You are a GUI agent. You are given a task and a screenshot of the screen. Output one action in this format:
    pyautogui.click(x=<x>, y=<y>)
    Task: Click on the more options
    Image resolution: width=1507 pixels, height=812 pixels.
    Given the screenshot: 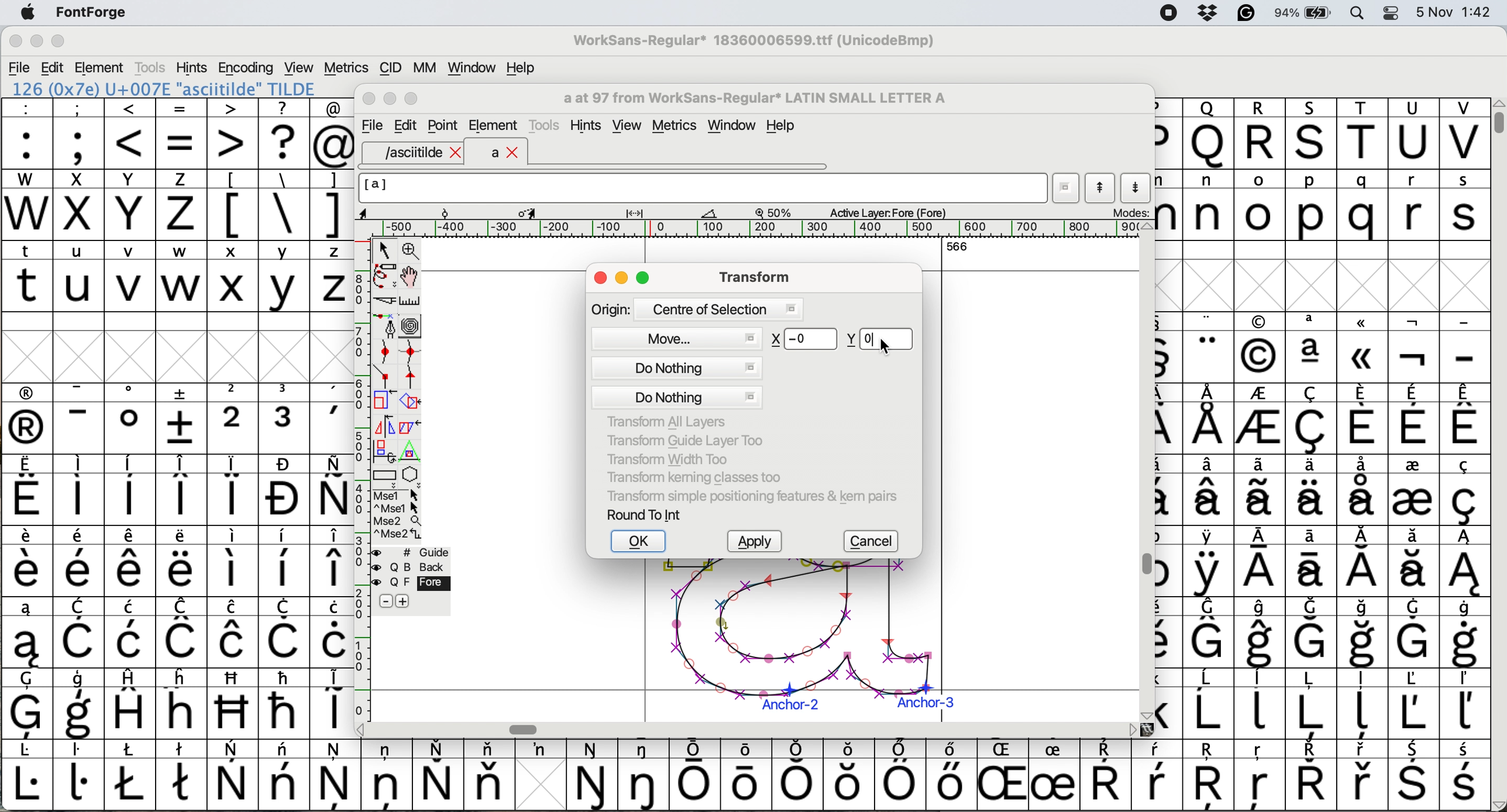 What is the action you would take?
    pyautogui.click(x=398, y=514)
    